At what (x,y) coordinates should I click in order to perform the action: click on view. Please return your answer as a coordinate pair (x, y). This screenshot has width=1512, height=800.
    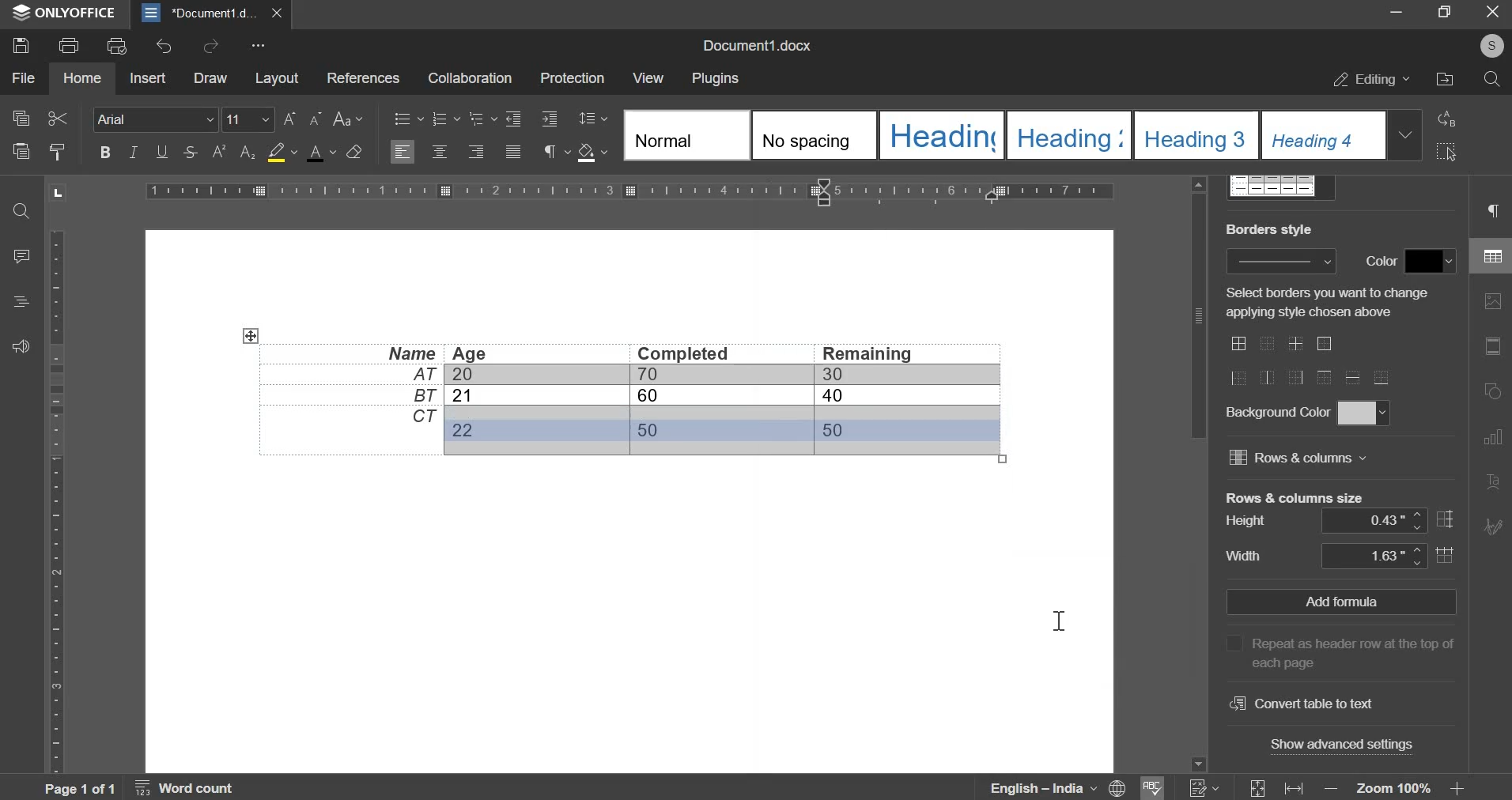
    Looking at the image, I should click on (647, 77).